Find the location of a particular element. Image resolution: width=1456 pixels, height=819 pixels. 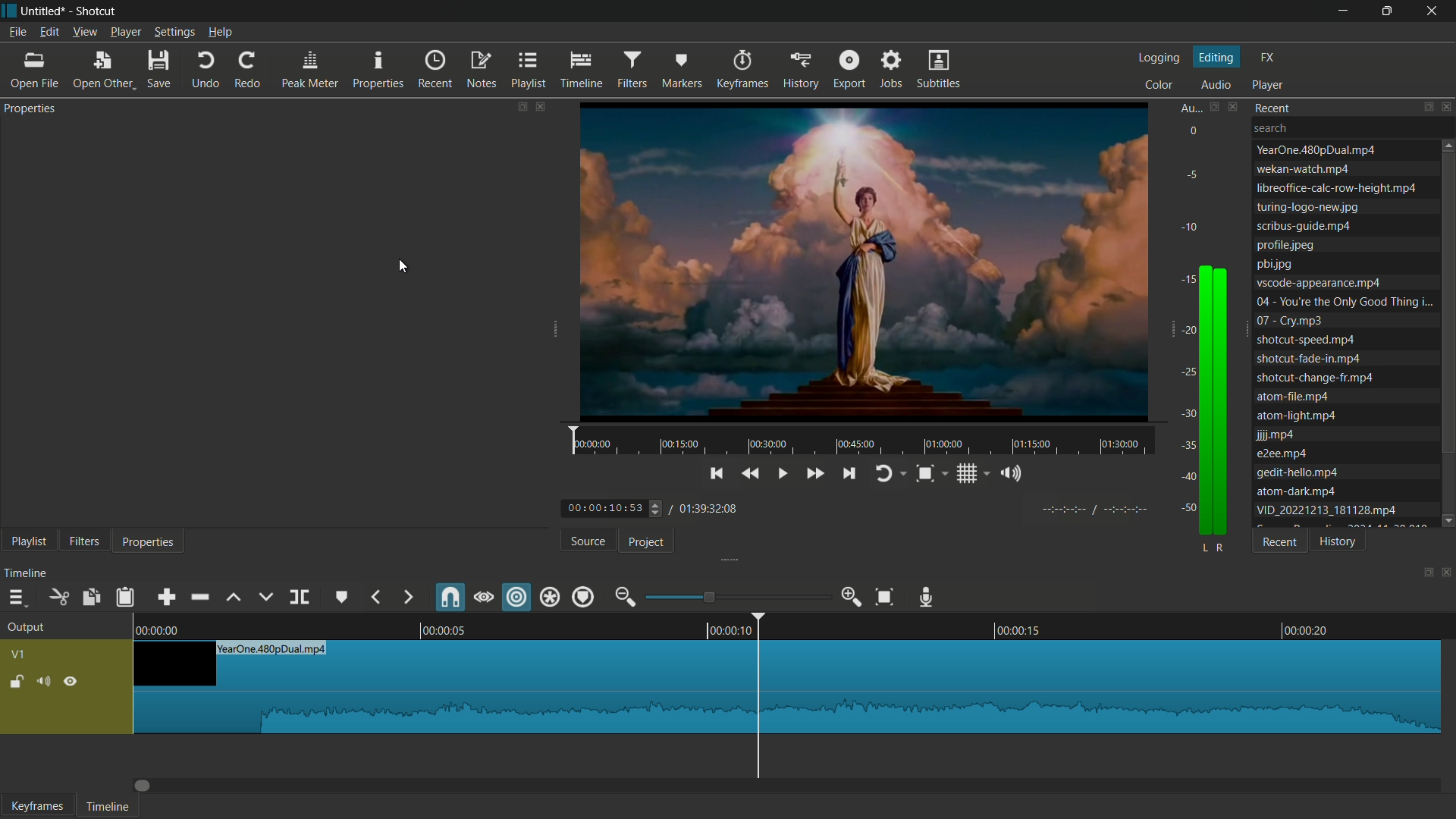

close app is located at coordinates (1435, 11).